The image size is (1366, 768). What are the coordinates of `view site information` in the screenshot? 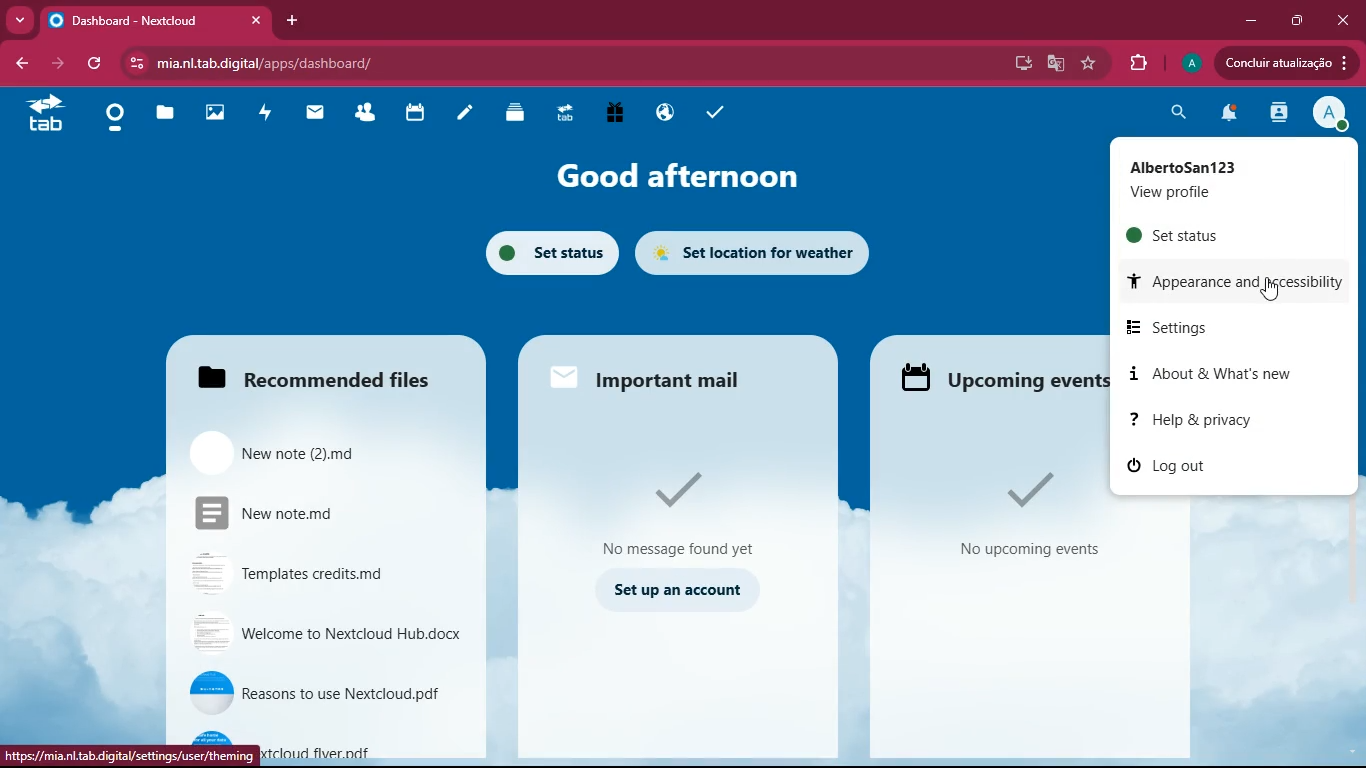 It's located at (136, 64).